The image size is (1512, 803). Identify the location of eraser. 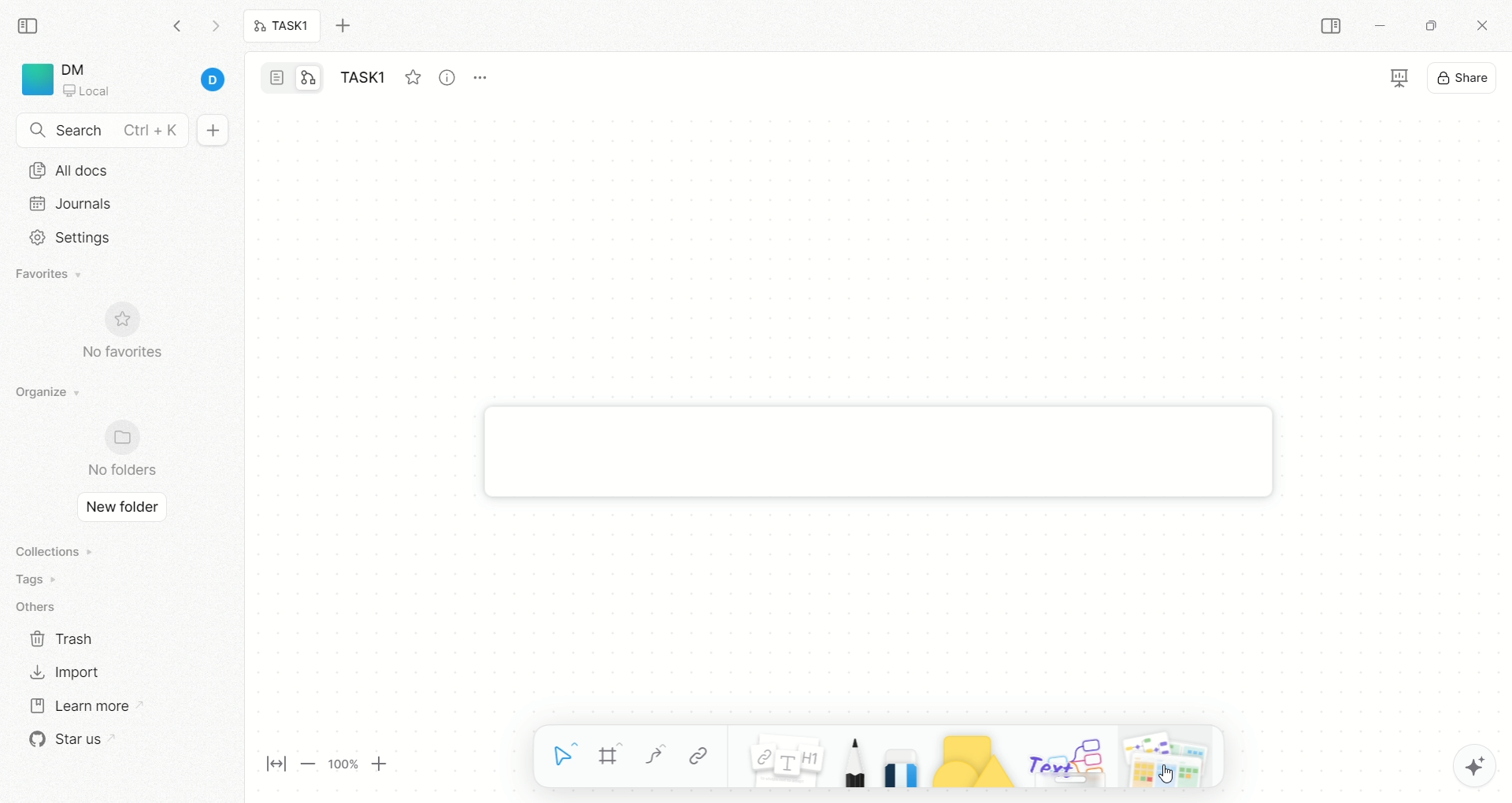
(896, 756).